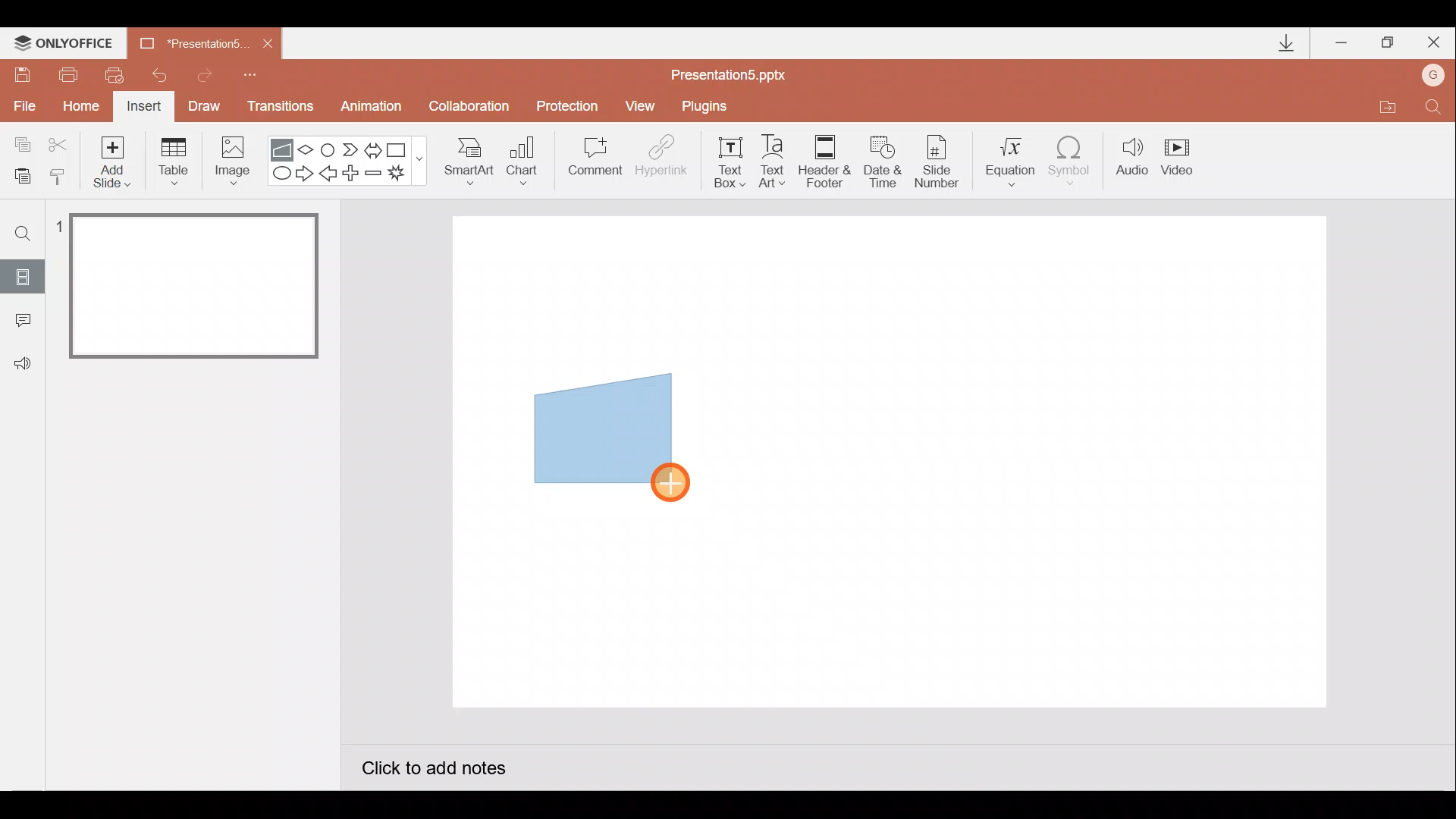 This screenshot has width=1456, height=819. I want to click on Transitions, so click(278, 108).